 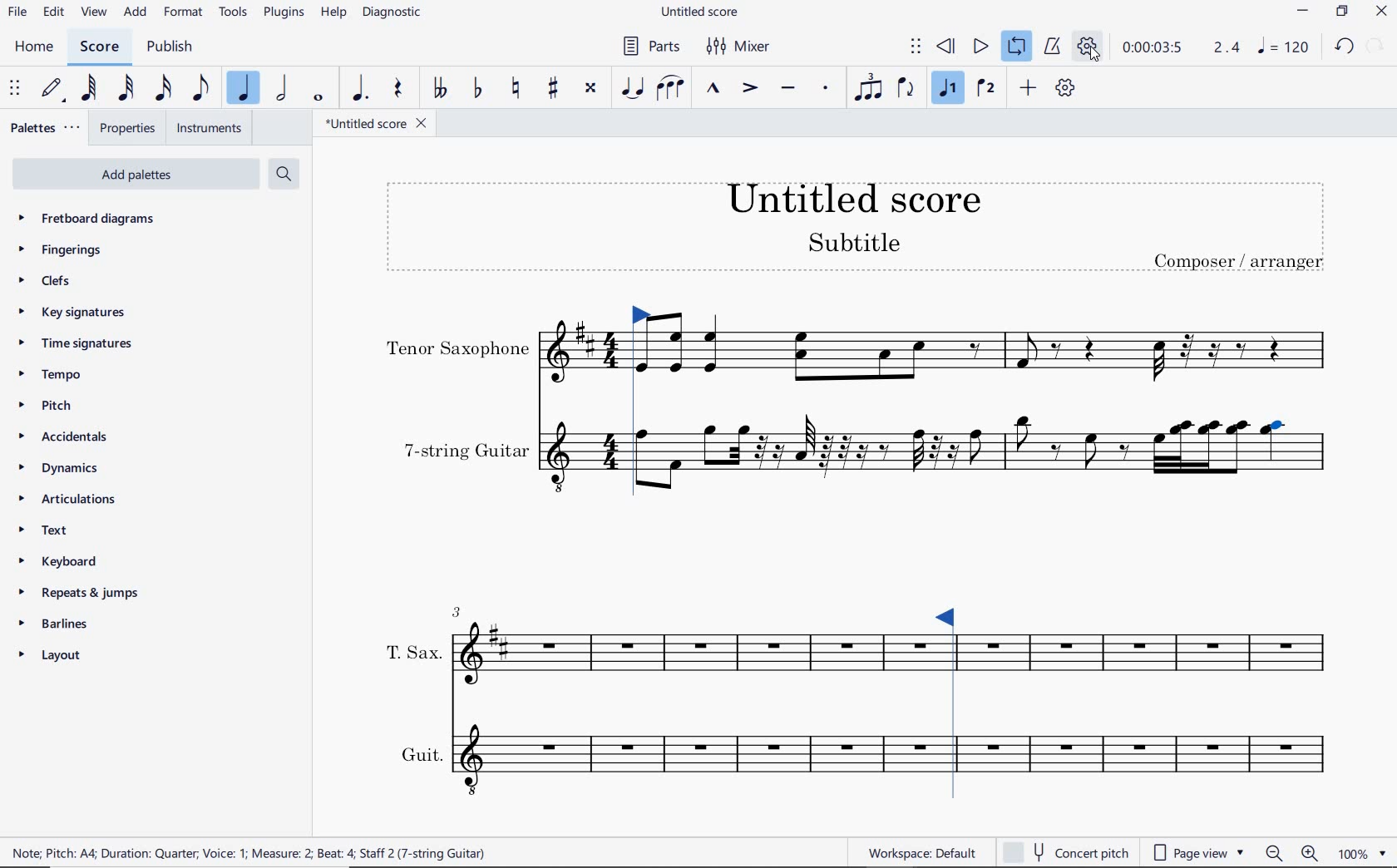 I want to click on INSTRUMENT: 7-STRING GUITAR, so click(x=1321, y=453).